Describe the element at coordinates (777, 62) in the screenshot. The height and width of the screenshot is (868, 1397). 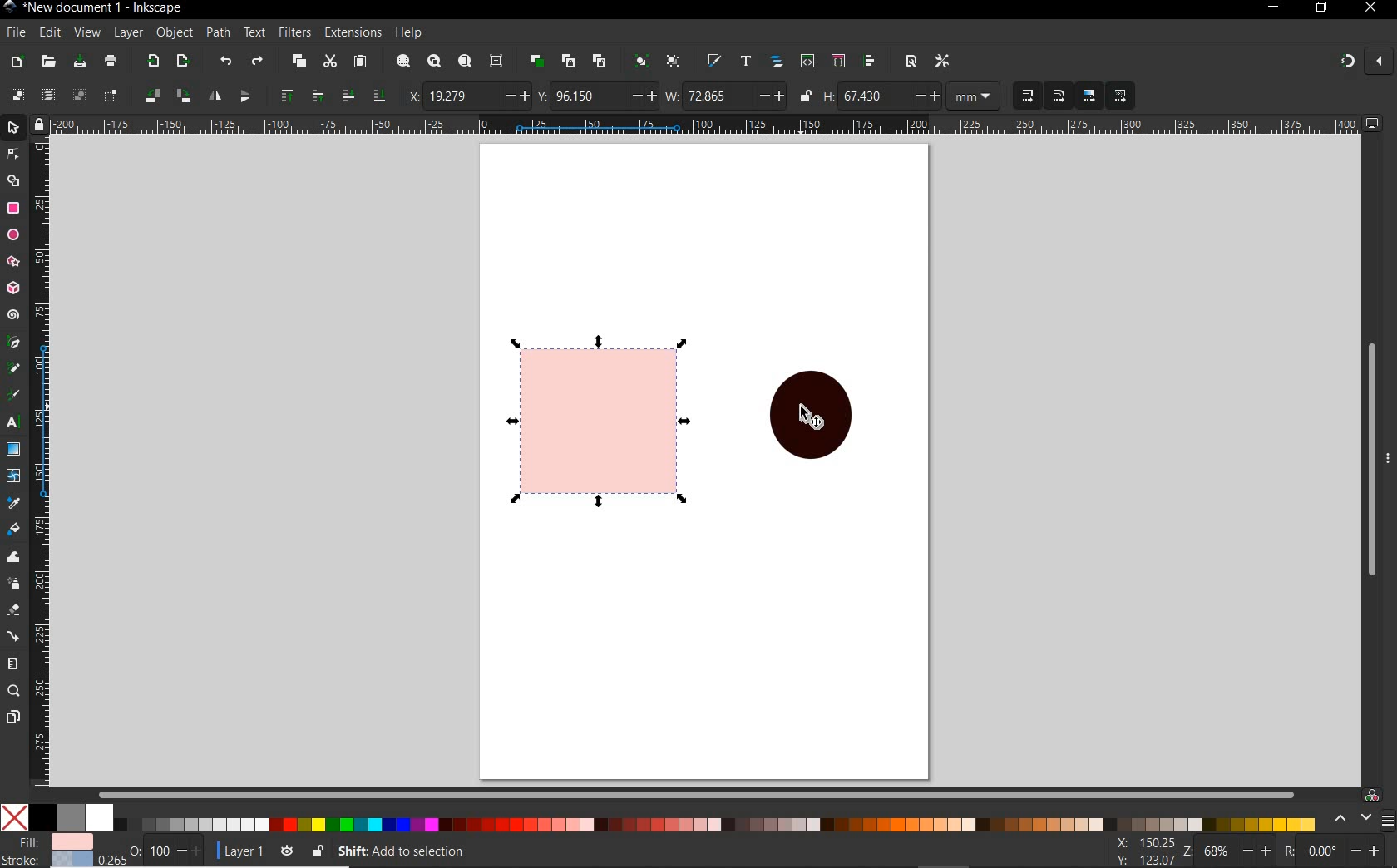
I see `open object` at that location.